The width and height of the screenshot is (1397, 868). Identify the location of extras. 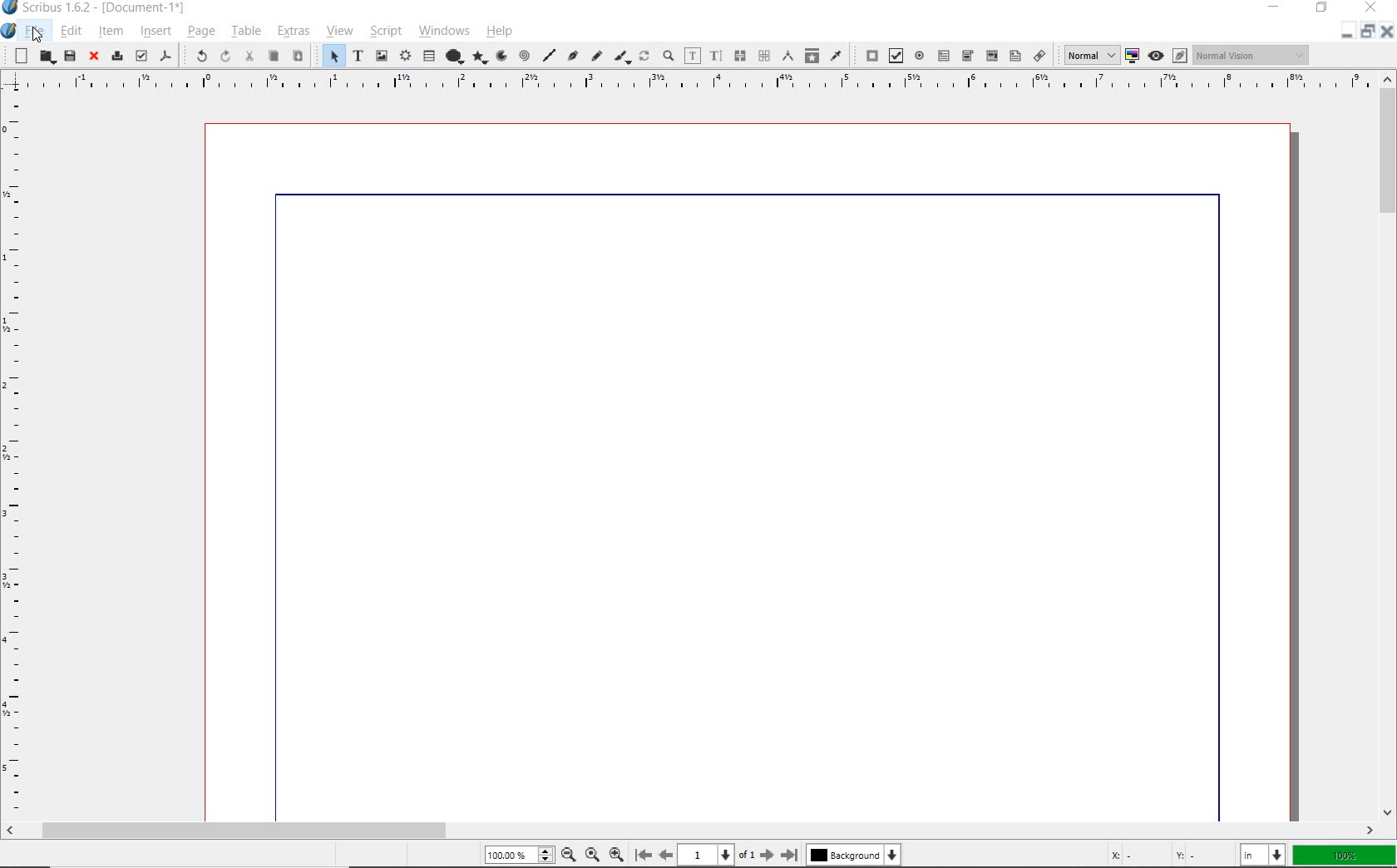
(293, 31).